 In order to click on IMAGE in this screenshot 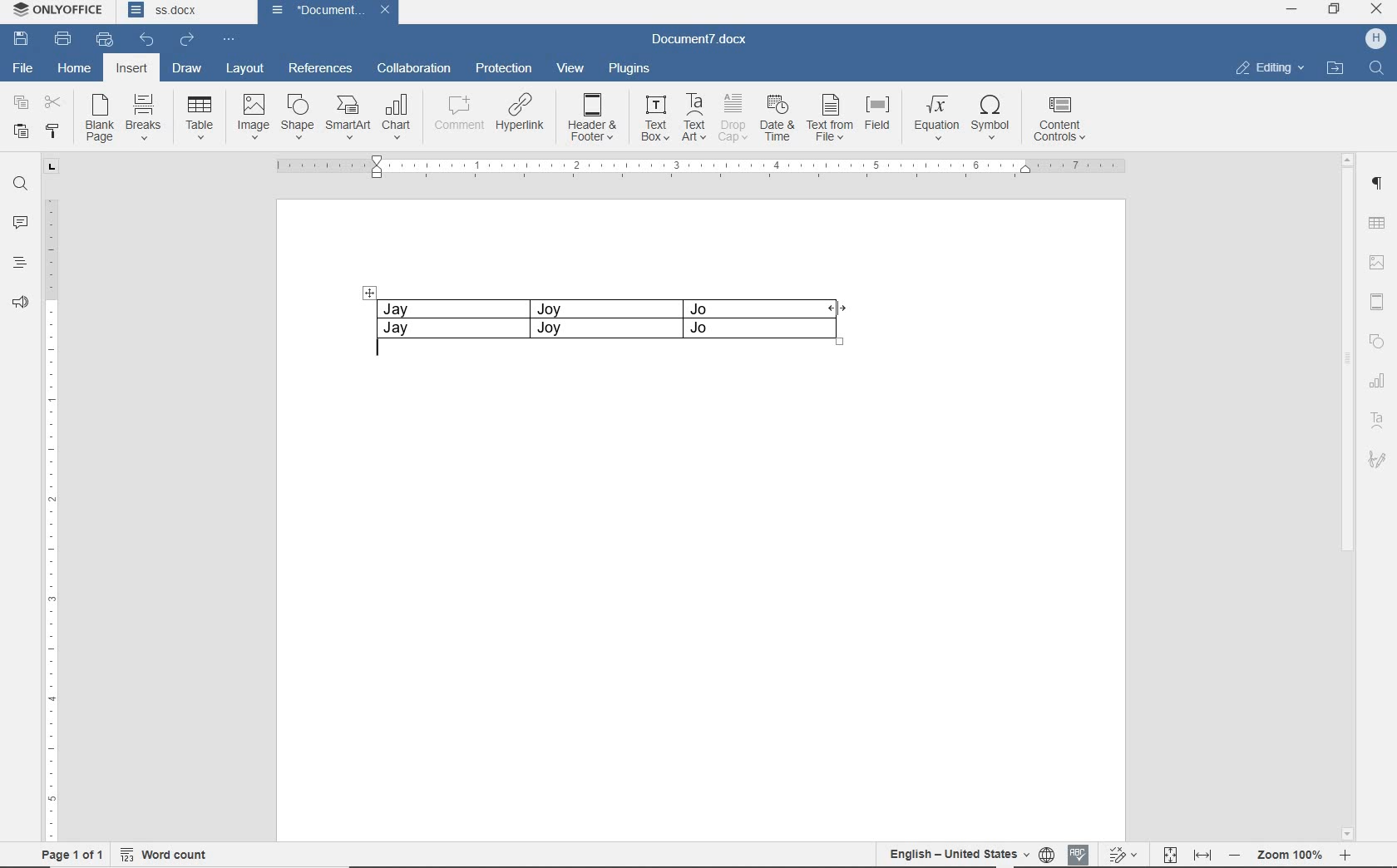, I will do `click(1377, 264)`.